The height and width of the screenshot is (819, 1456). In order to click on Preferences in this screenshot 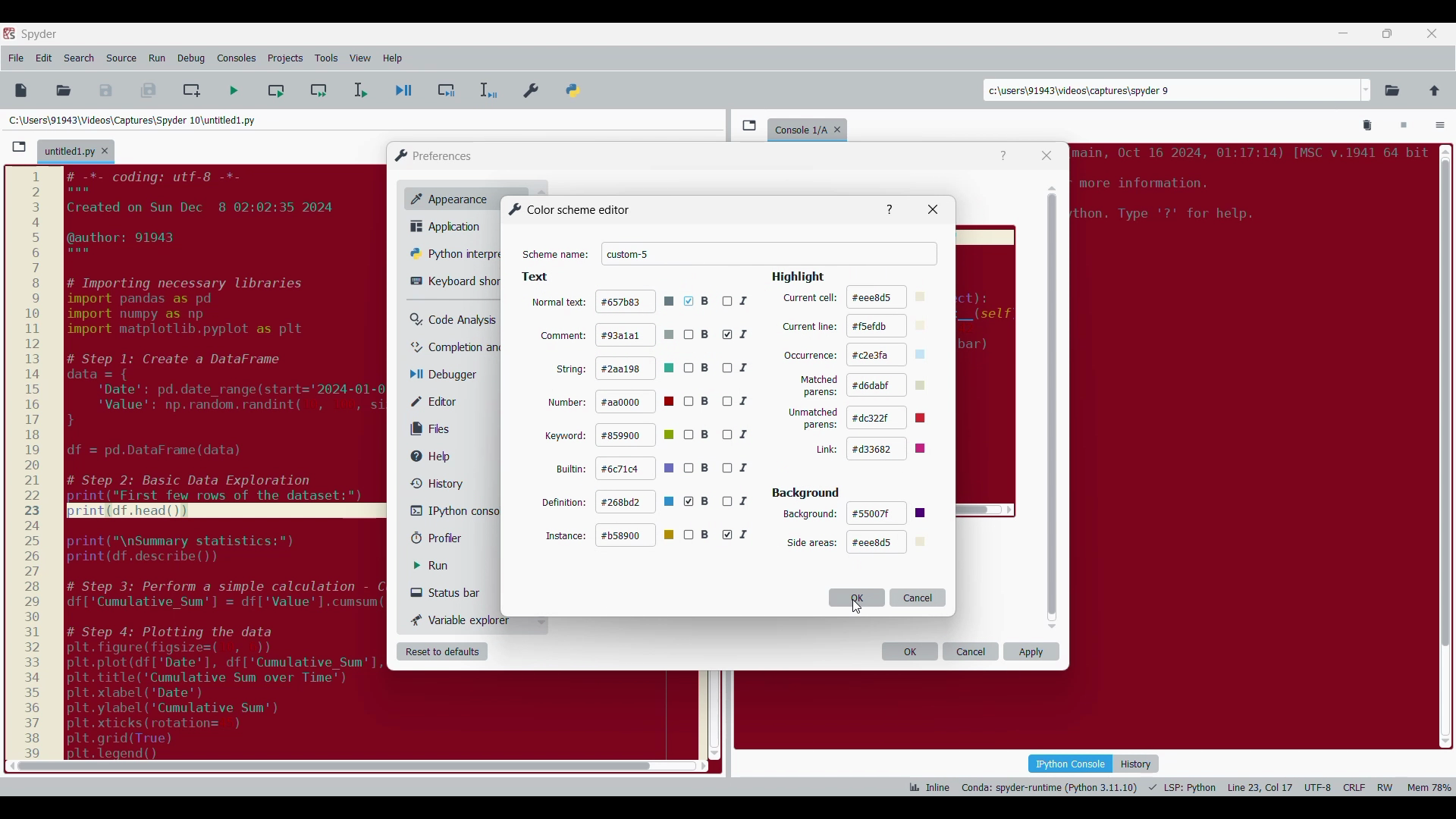, I will do `click(532, 87)`.